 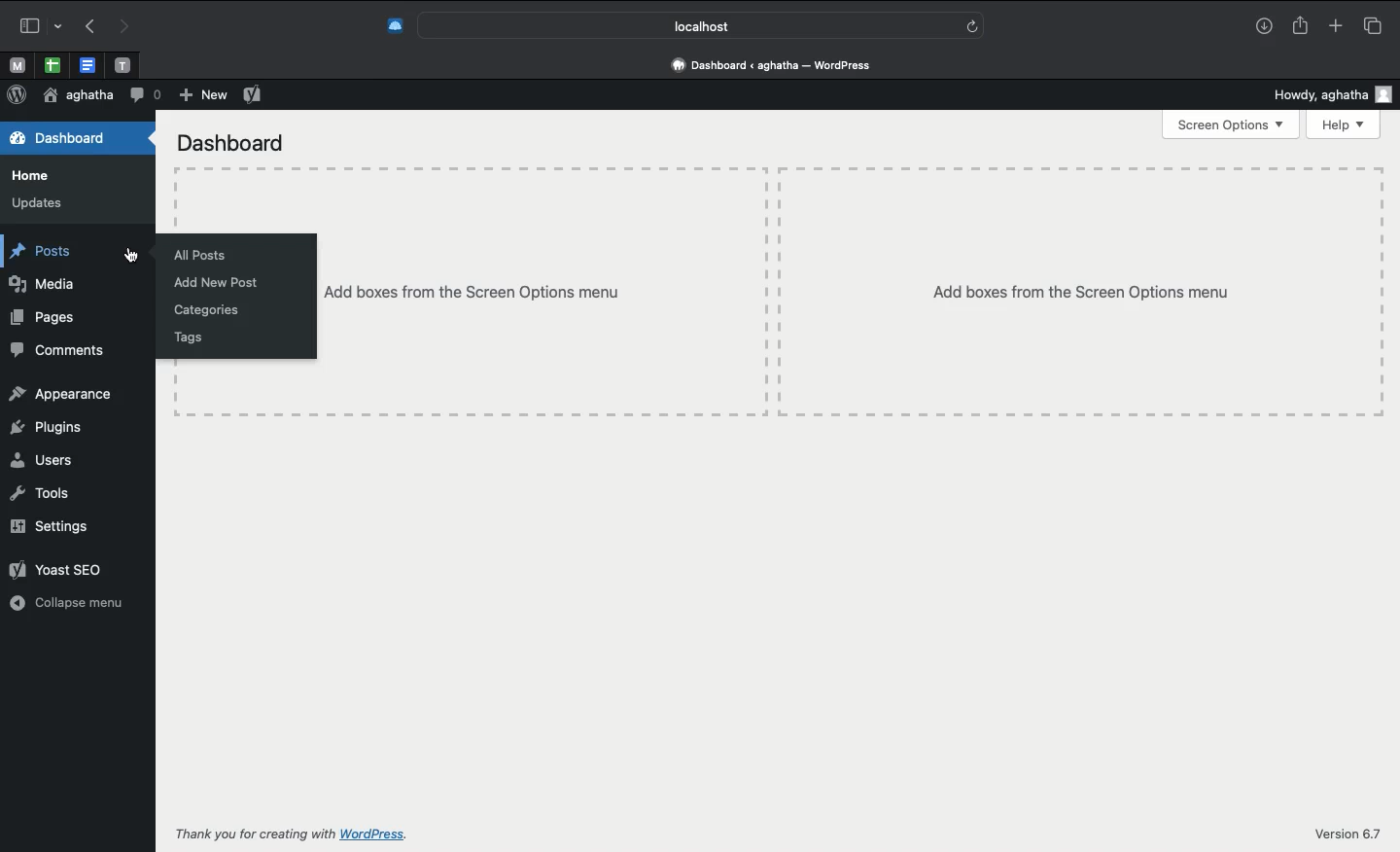 I want to click on Collapse menu, so click(x=65, y=602).